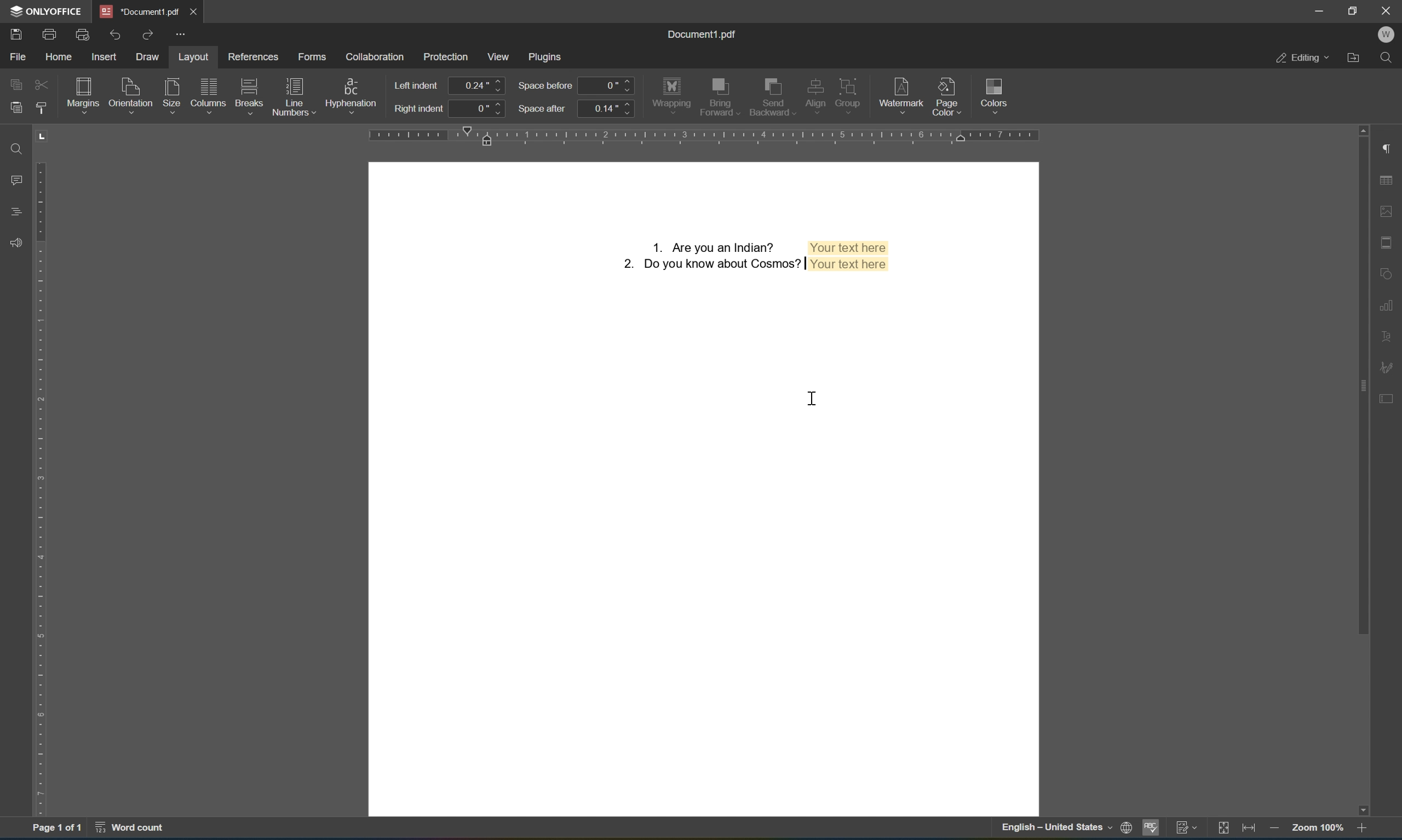 The width and height of the screenshot is (1402, 840). Describe the element at coordinates (350, 95) in the screenshot. I see `hypernation` at that location.